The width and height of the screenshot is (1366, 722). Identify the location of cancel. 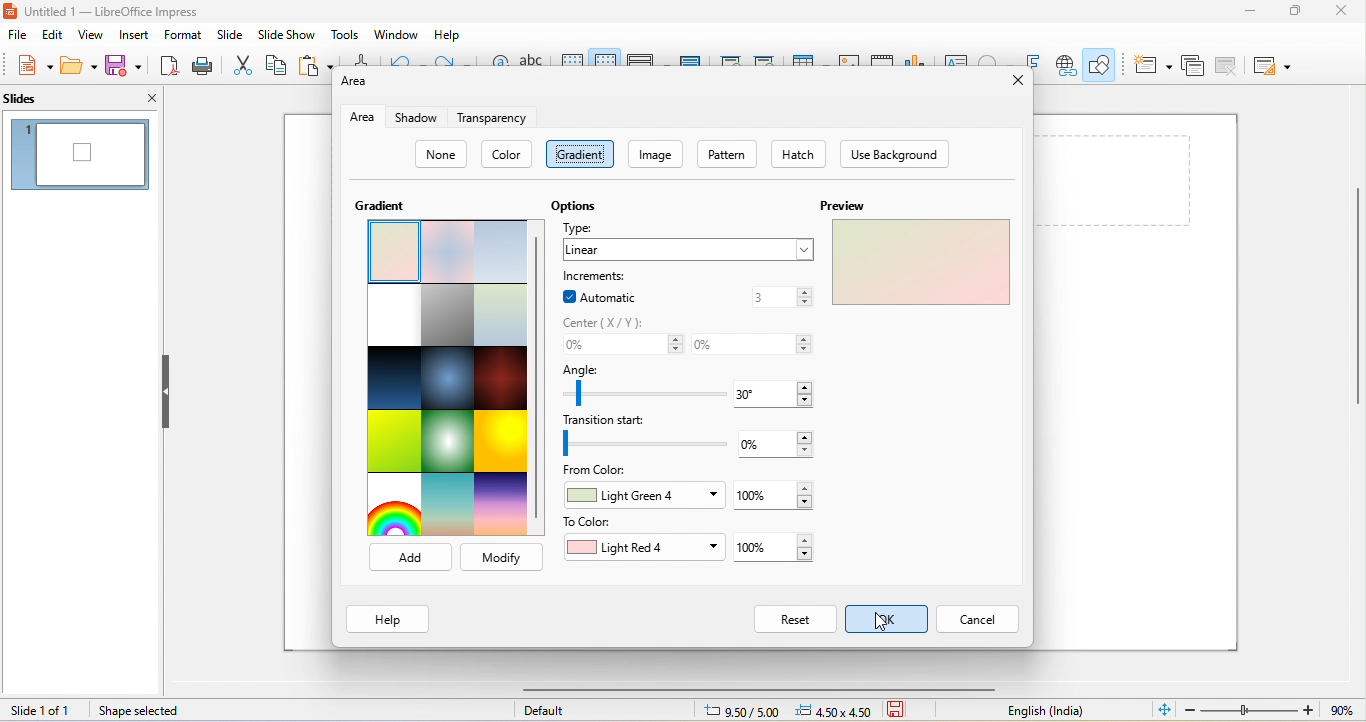
(978, 619).